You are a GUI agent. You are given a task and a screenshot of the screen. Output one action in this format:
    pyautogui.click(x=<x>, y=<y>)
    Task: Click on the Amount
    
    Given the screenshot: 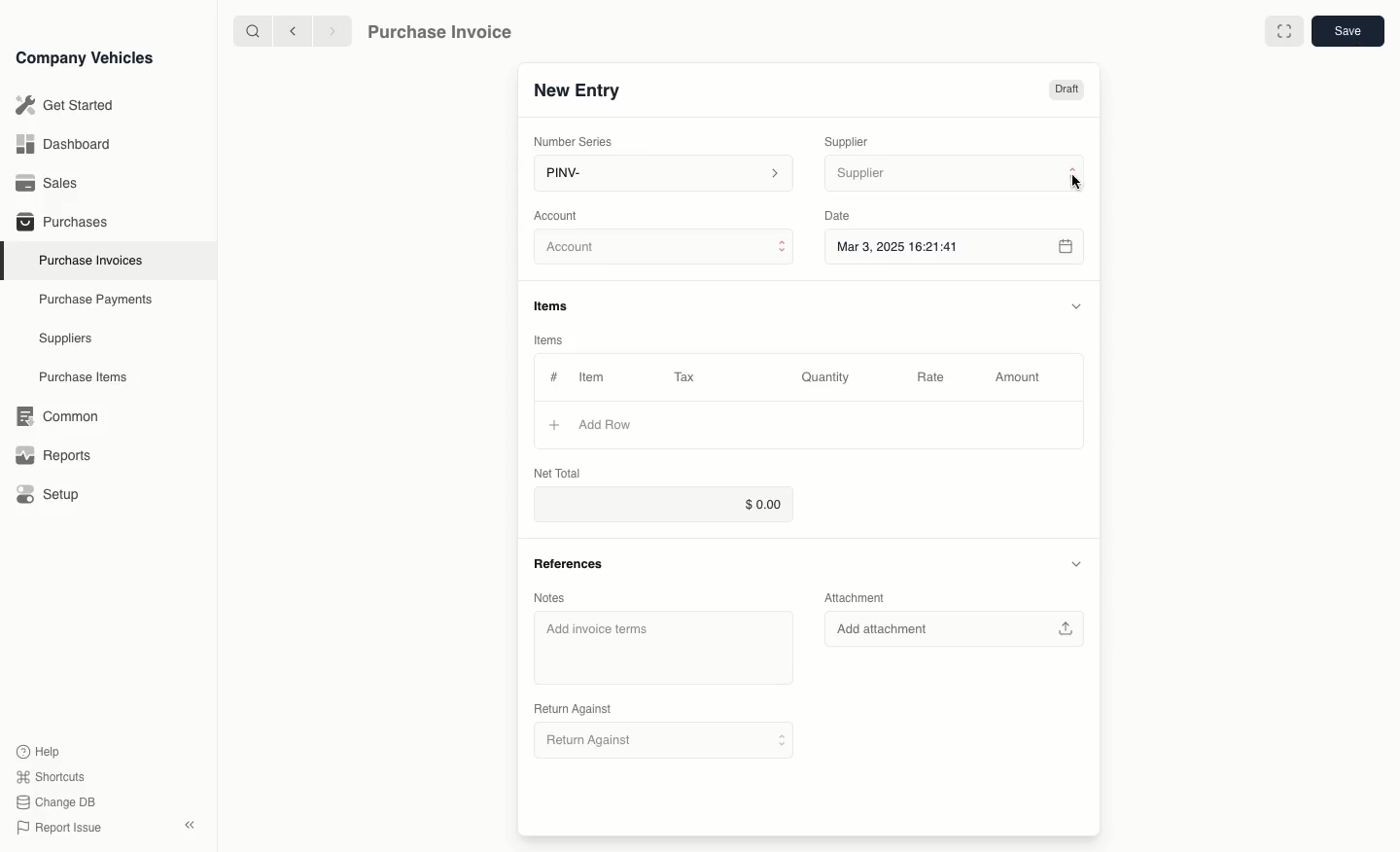 What is the action you would take?
    pyautogui.click(x=1022, y=377)
    